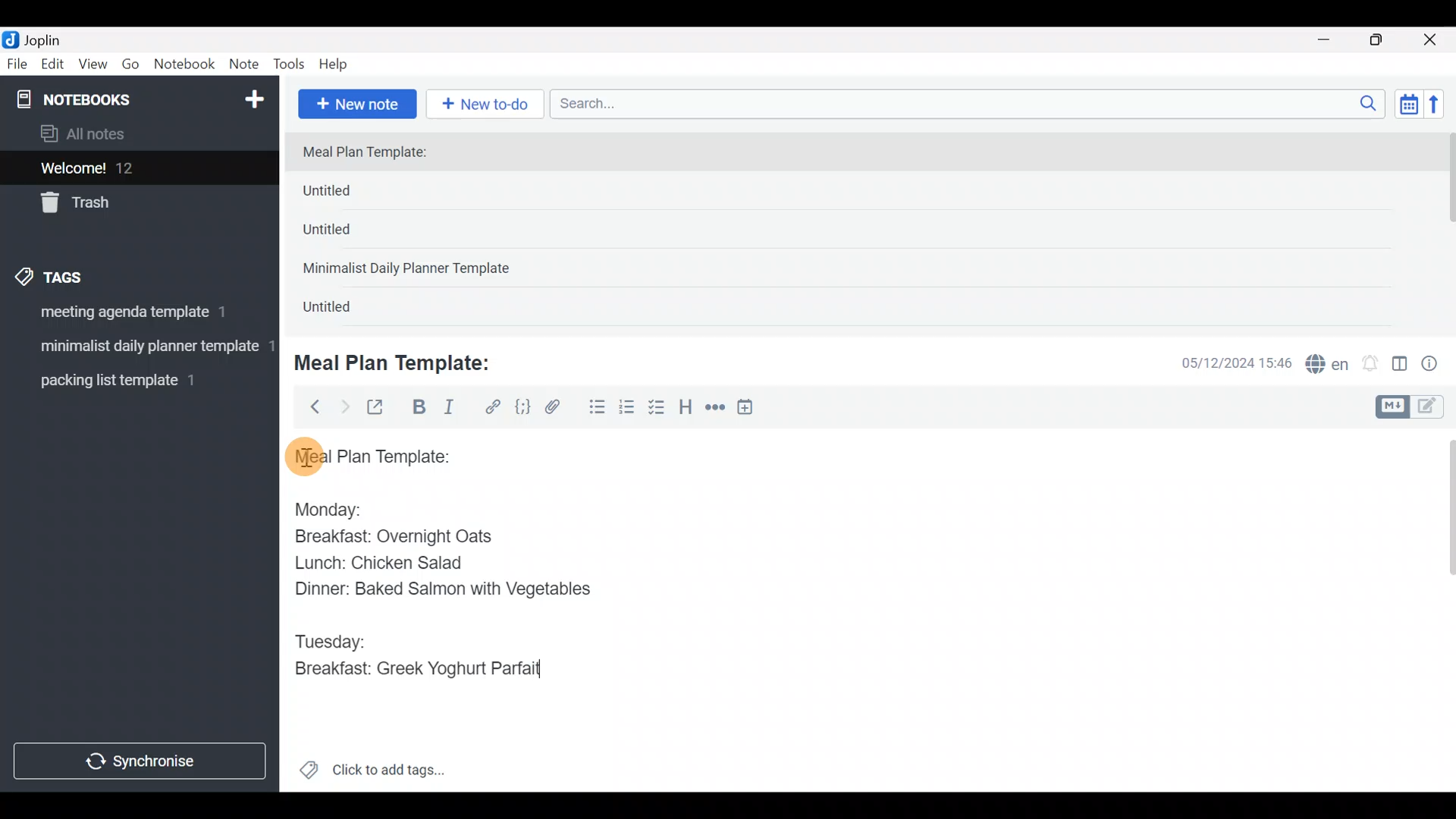  What do you see at coordinates (1328, 366) in the screenshot?
I see `Spelling` at bounding box center [1328, 366].